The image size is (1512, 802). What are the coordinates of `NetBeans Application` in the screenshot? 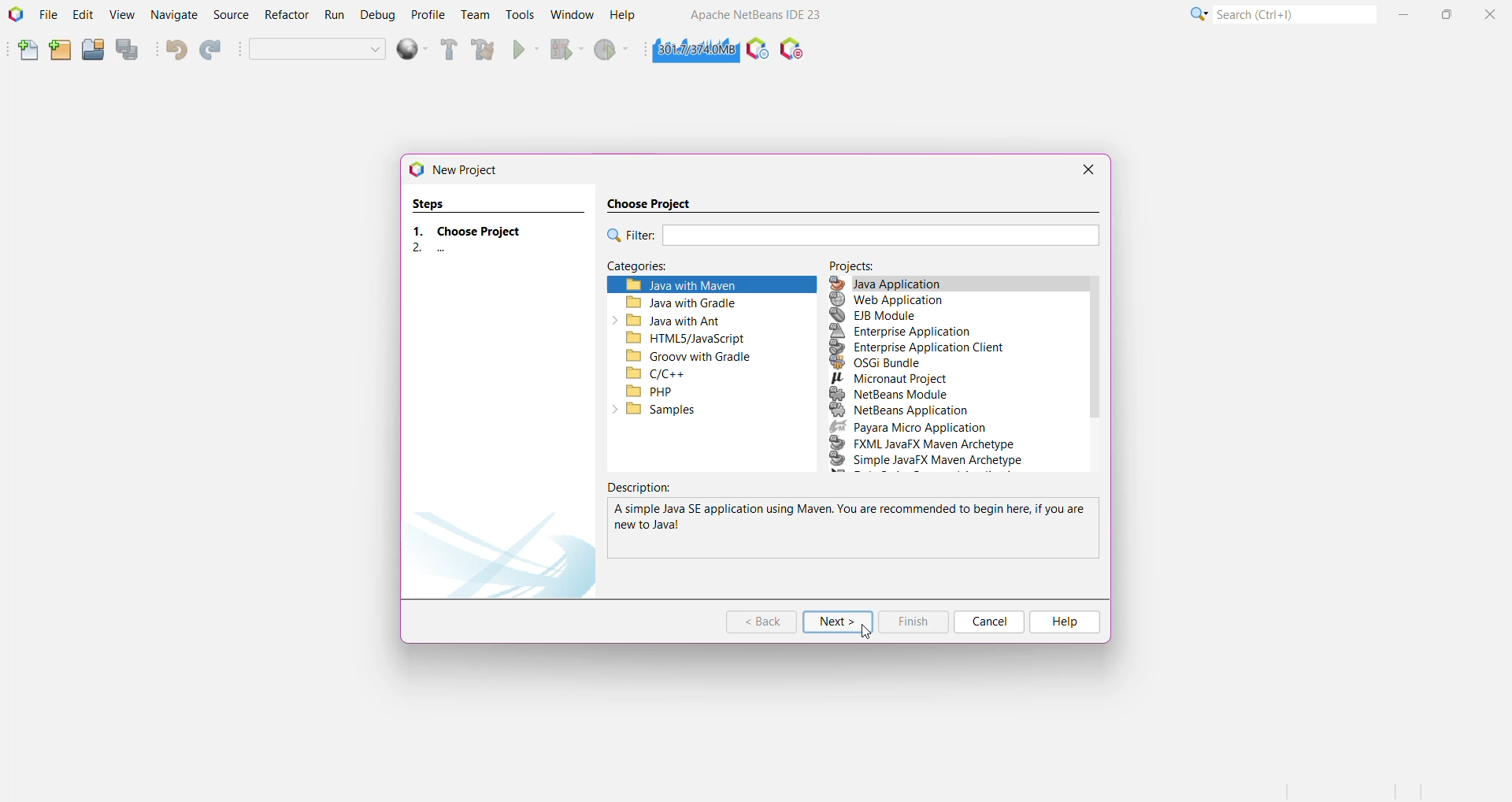 It's located at (899, 410).